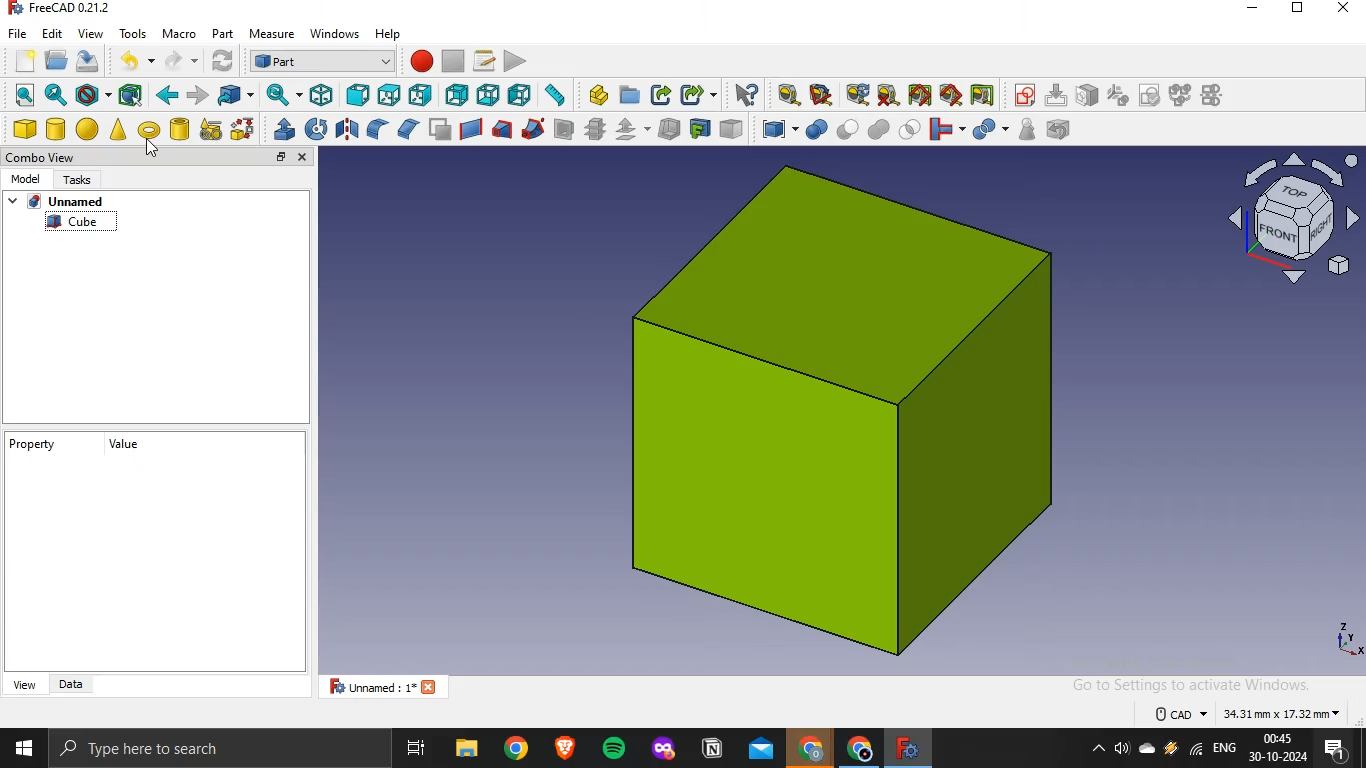  I want to click on make sublink, so click(697, 93).